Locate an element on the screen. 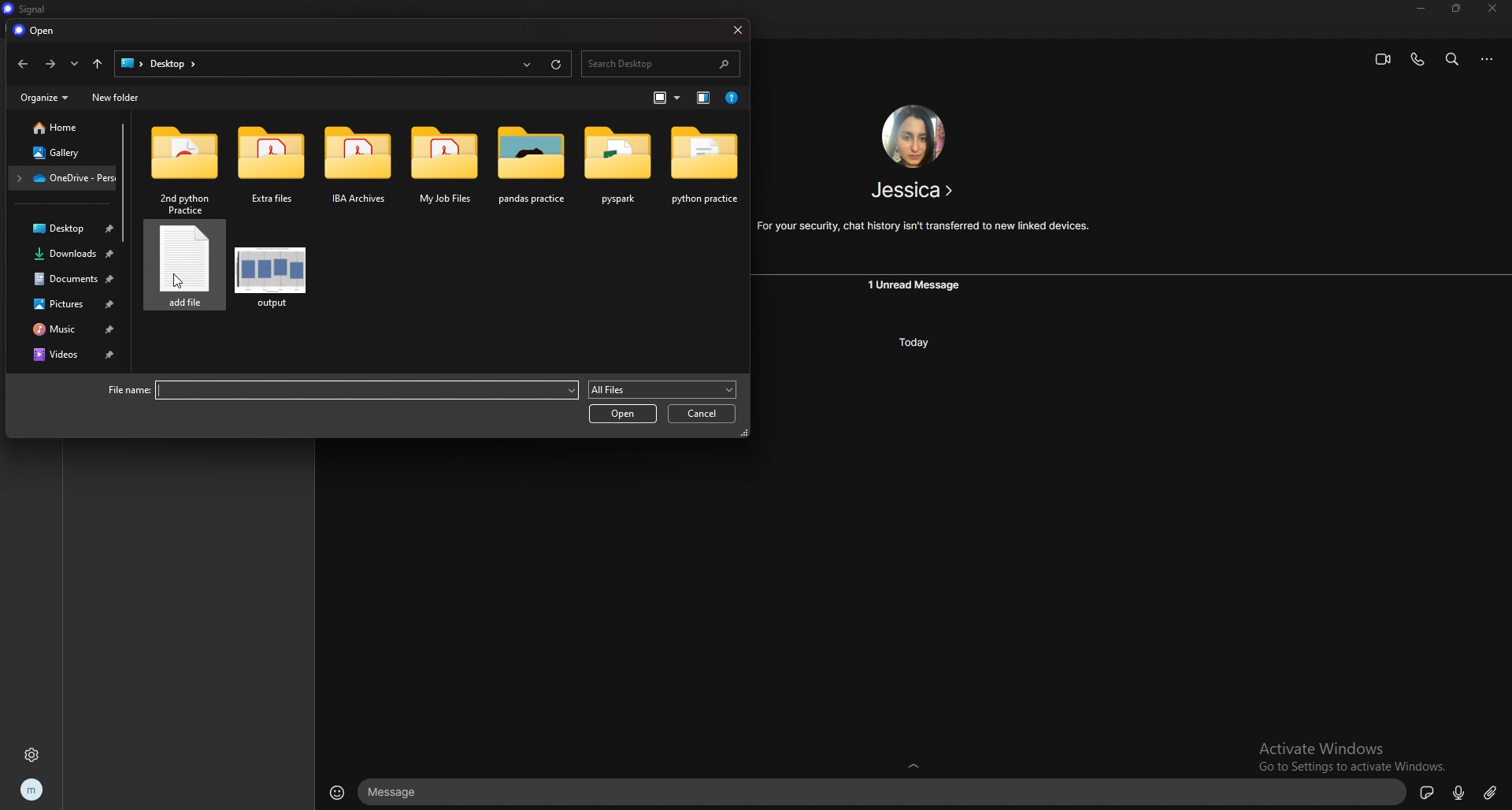 The image size is (1512, 810). all files is located at coordinates (661, 389).